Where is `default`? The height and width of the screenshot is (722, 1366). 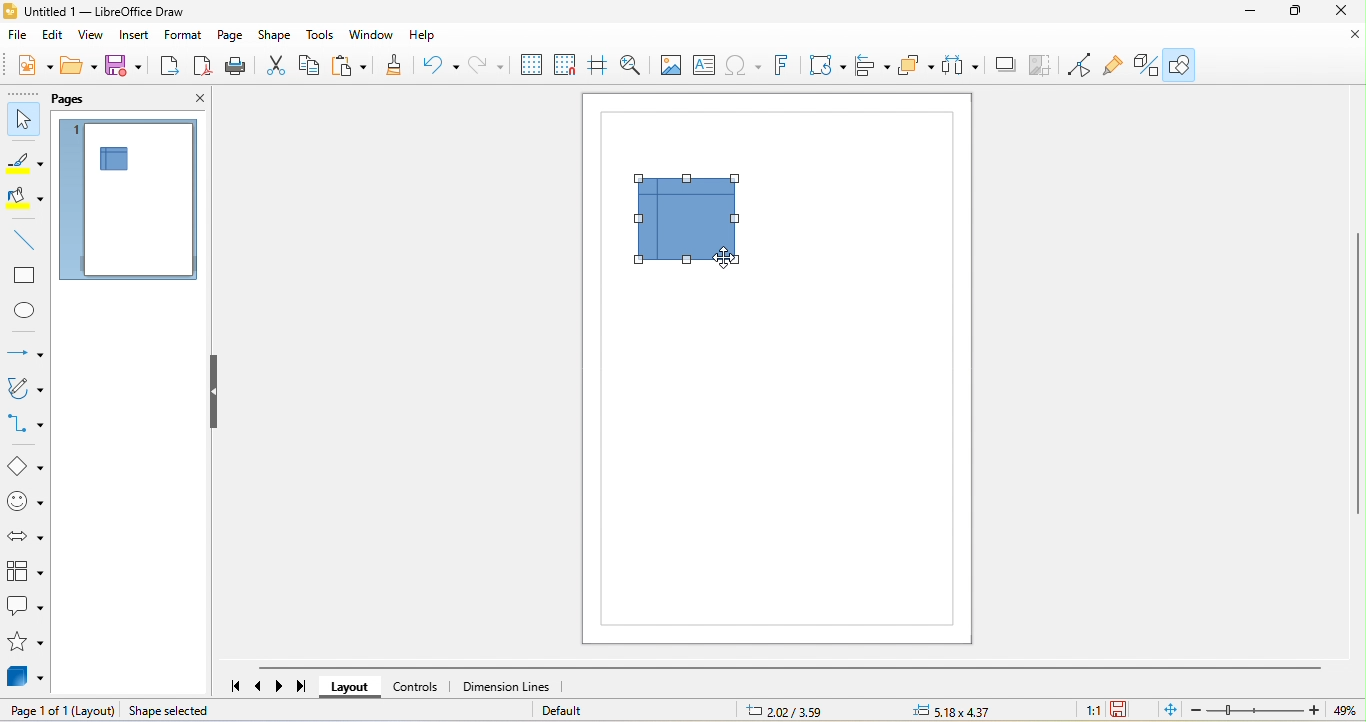
default is located at coordinates (579, 710).